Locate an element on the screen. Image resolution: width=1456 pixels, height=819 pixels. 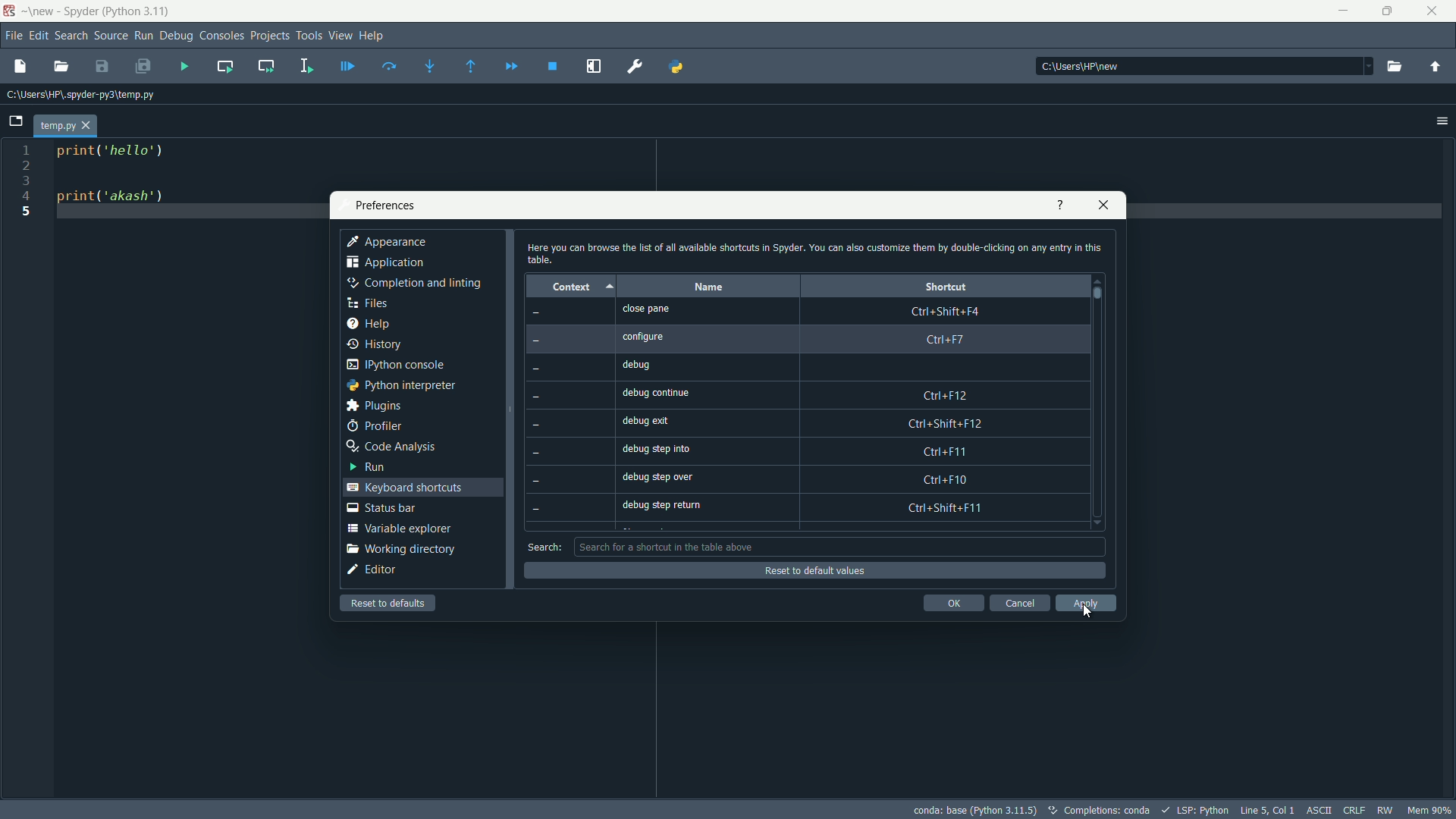
debug file is located at coordinates (348, 66).